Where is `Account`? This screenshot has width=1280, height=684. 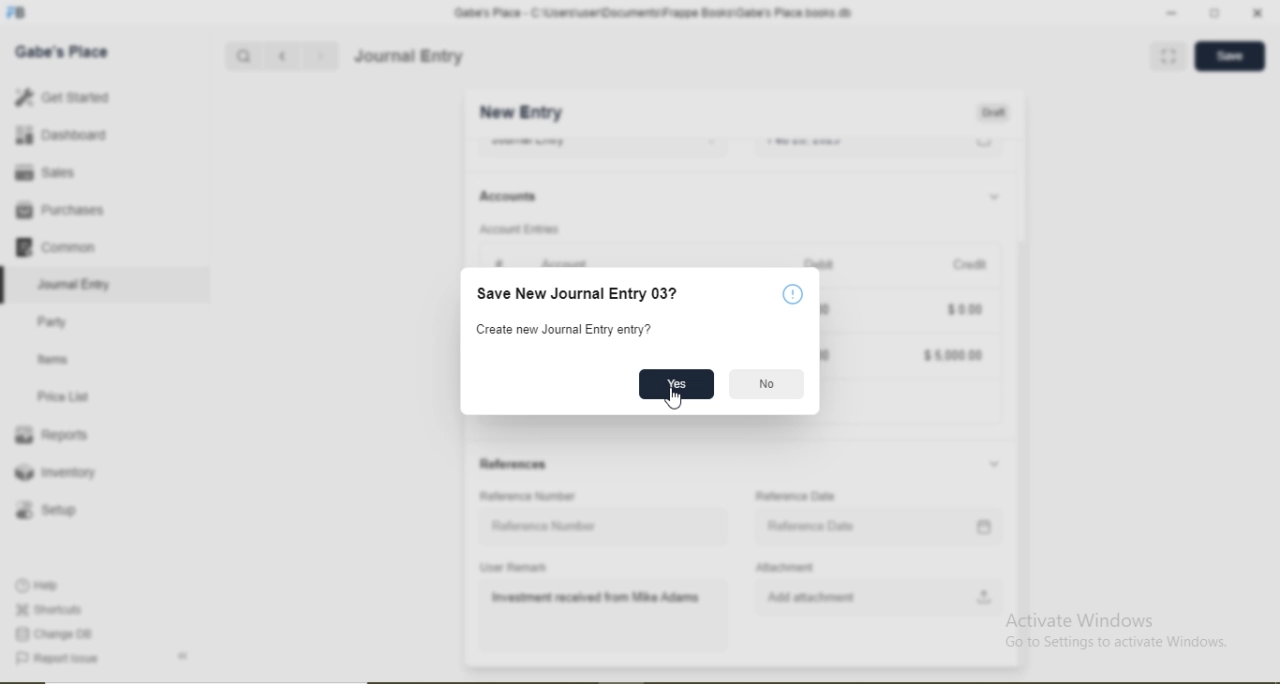 Account is located at coordinates (566, 261).